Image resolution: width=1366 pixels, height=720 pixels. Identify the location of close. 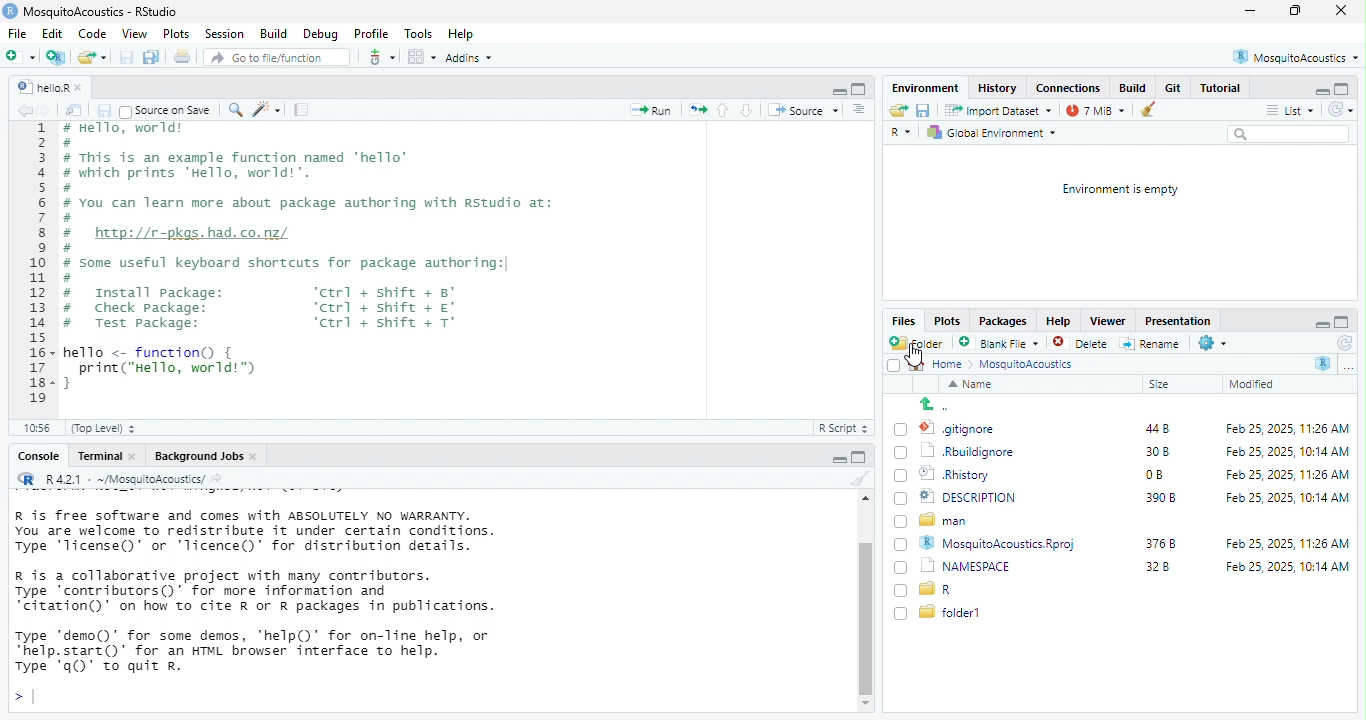
(1338, 11).